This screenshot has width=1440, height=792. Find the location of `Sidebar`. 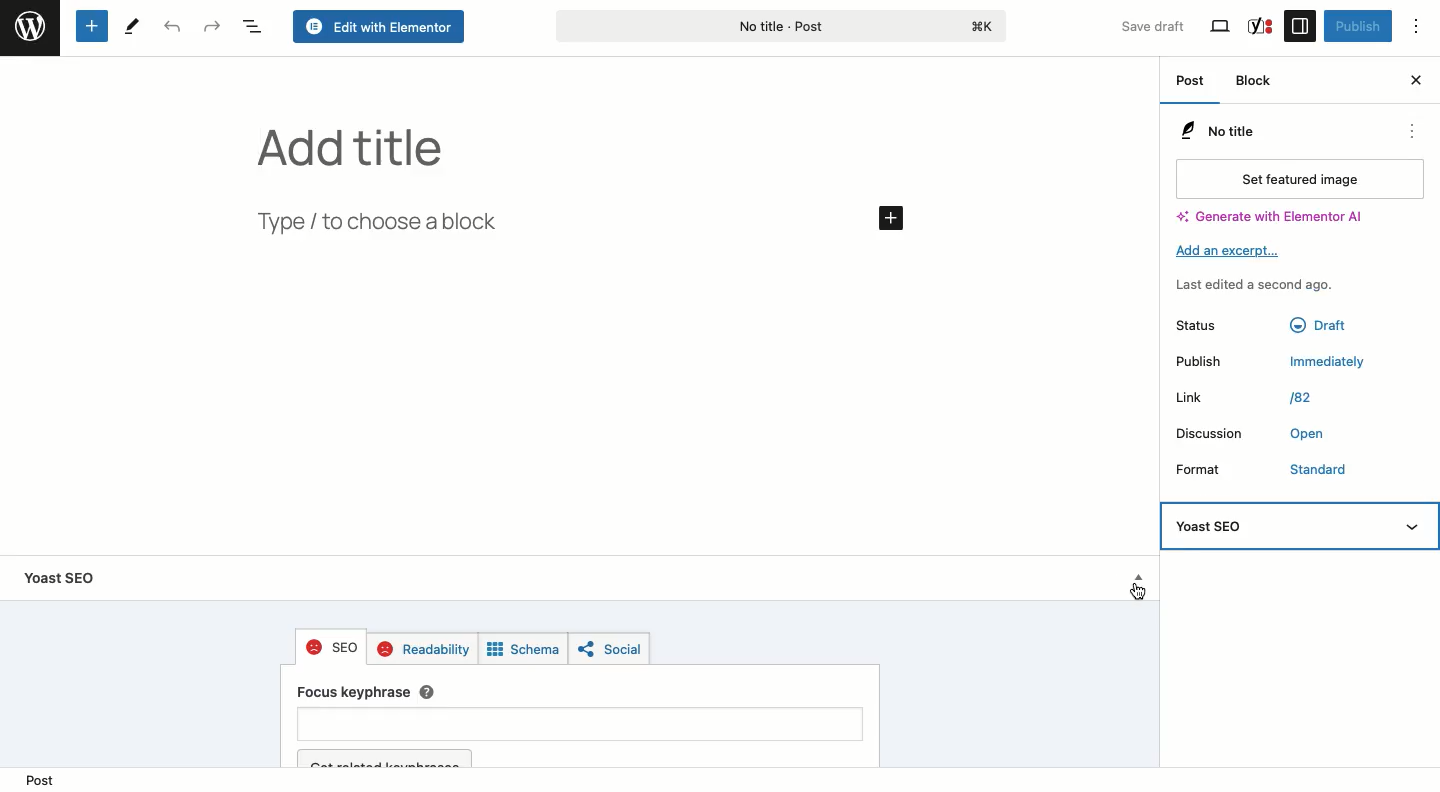

Sidebar is located at coordinates (1300, 25).